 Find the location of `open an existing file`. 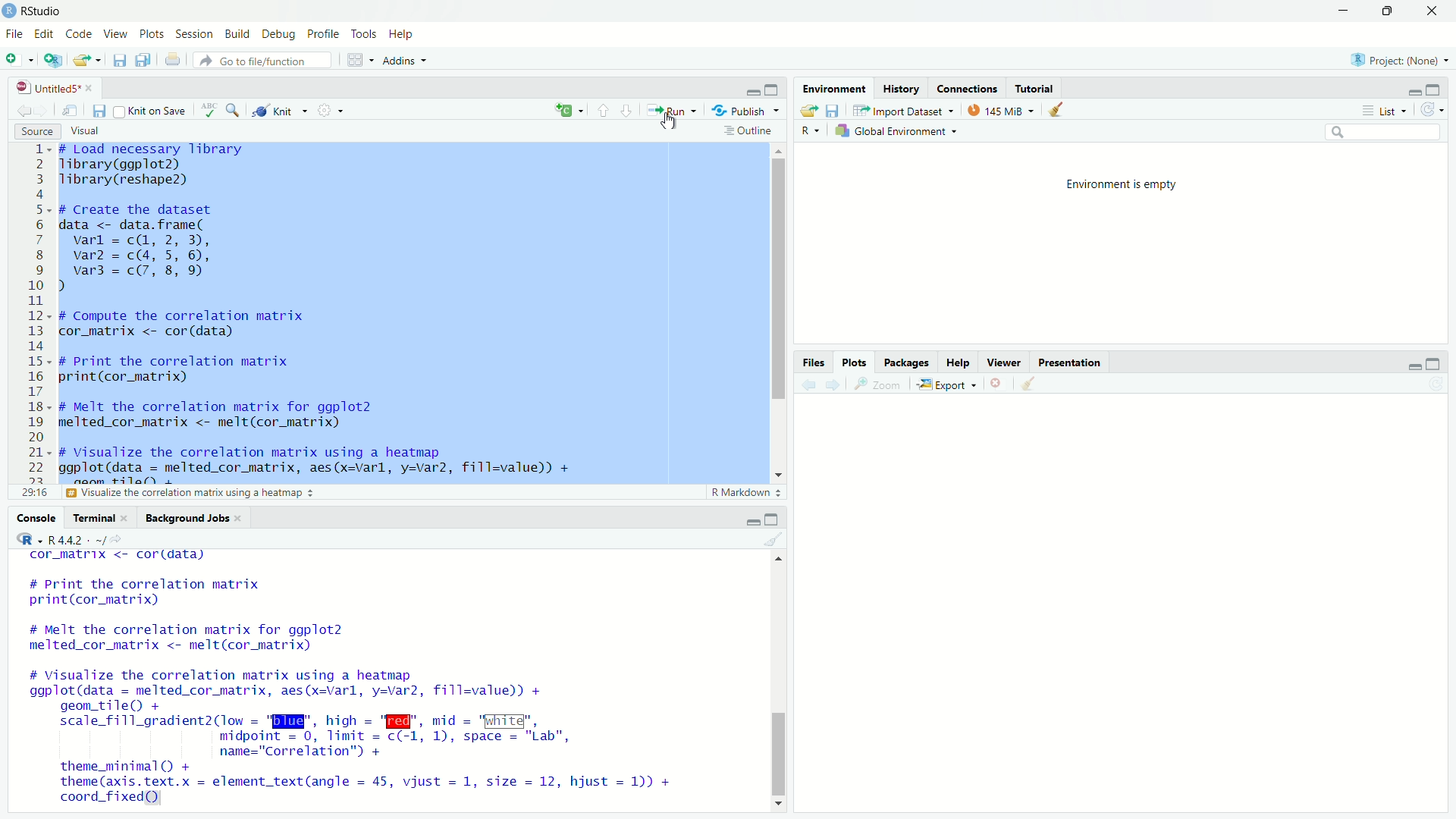

open an existing file is located at coordinates (86, 60).